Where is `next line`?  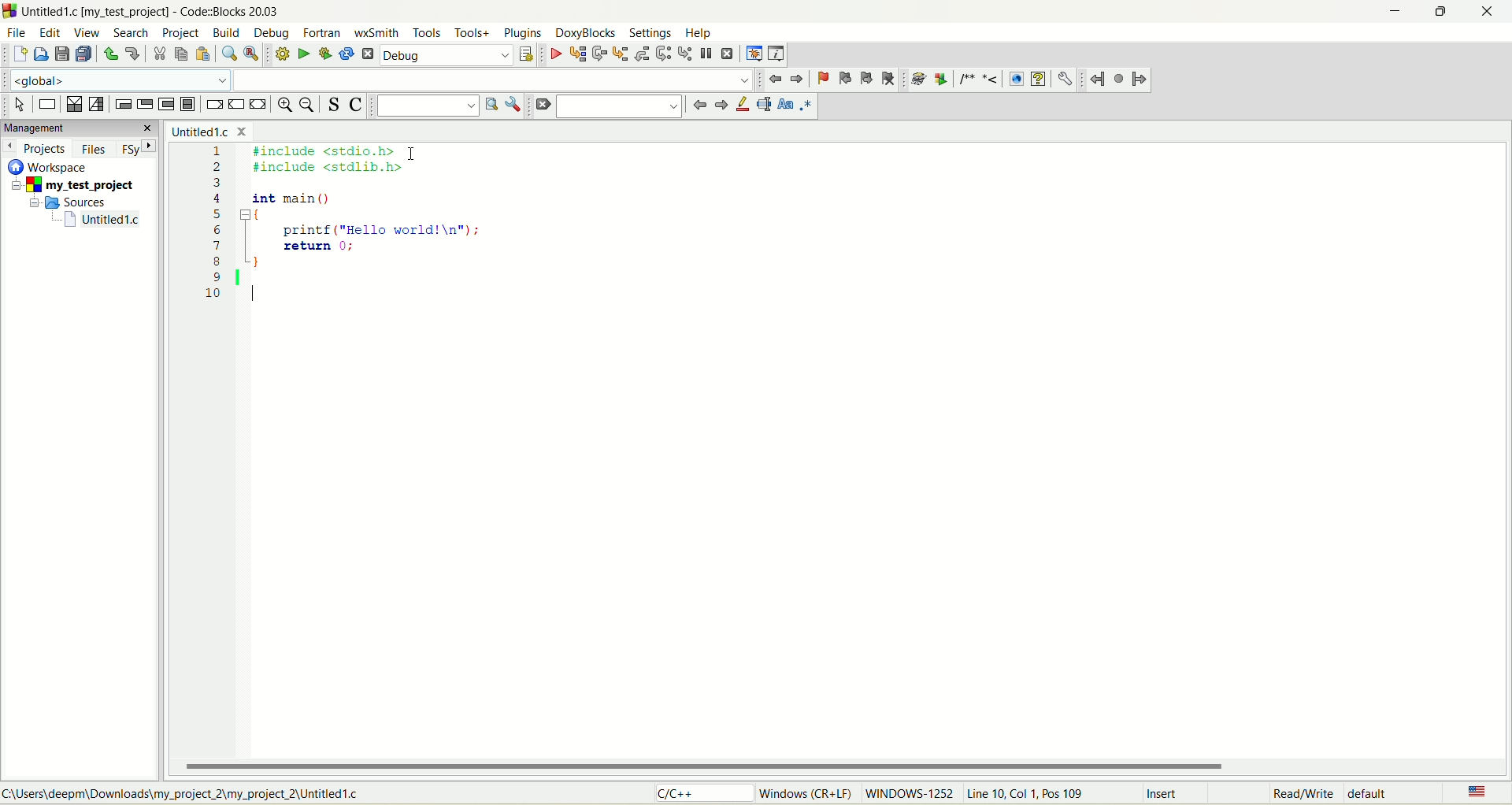
next line is located at coordinates (598, 54).